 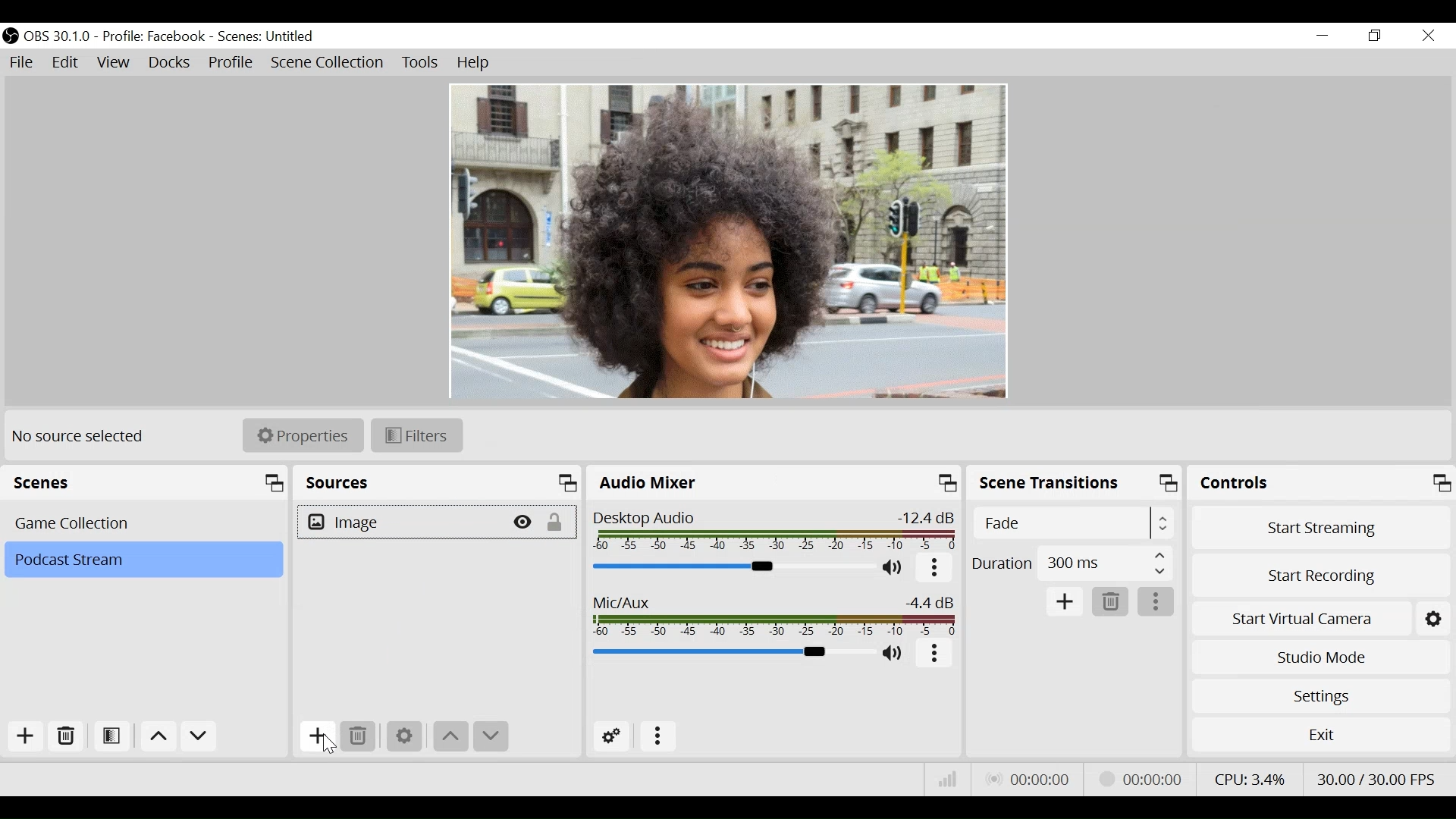 What do you see at coordinates (617, 737) in the screenshot?
I see `Advanced Audio Settings` at bounding box center [617, 737].